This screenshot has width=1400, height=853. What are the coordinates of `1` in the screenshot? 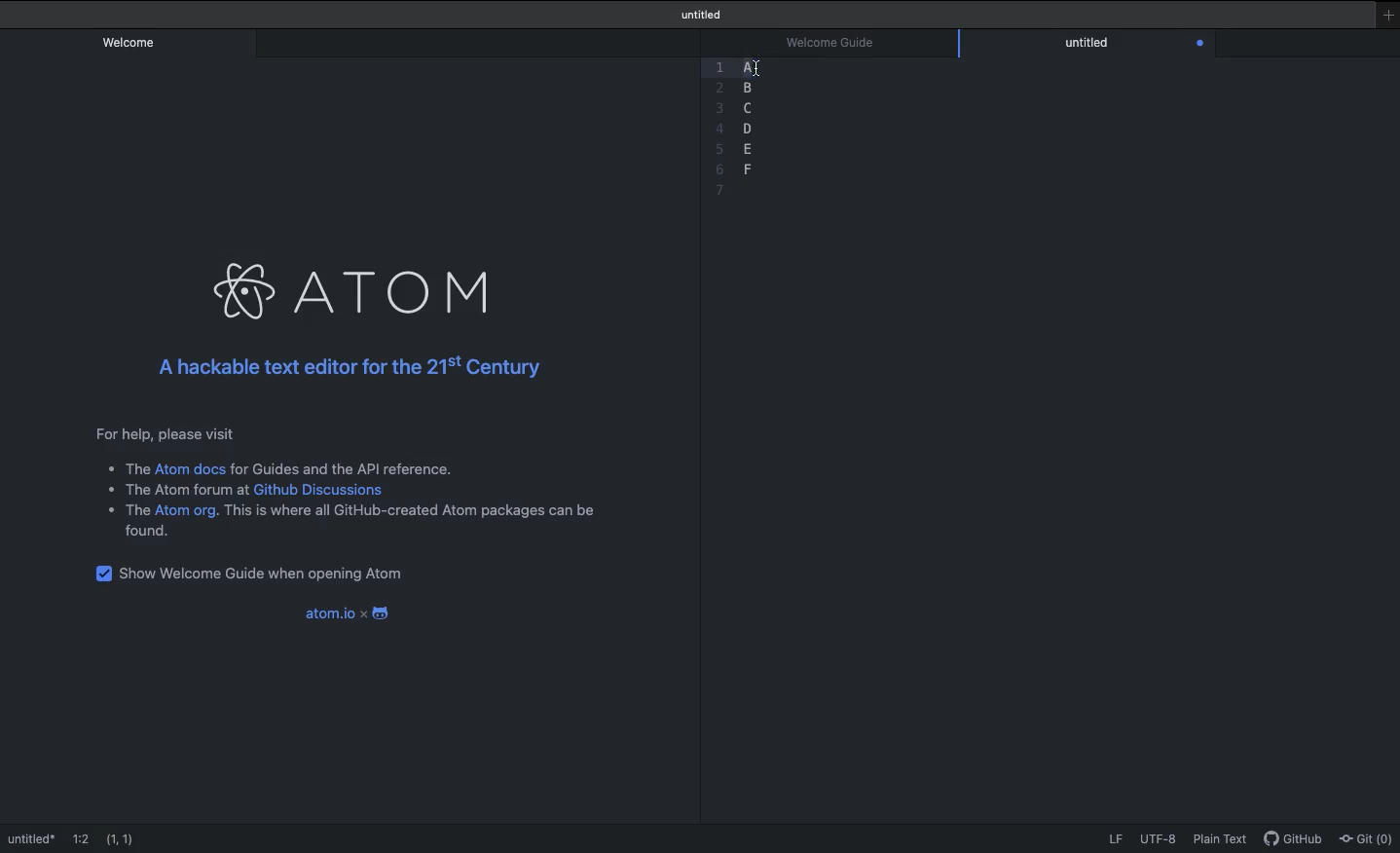 It's located at (716, 70).